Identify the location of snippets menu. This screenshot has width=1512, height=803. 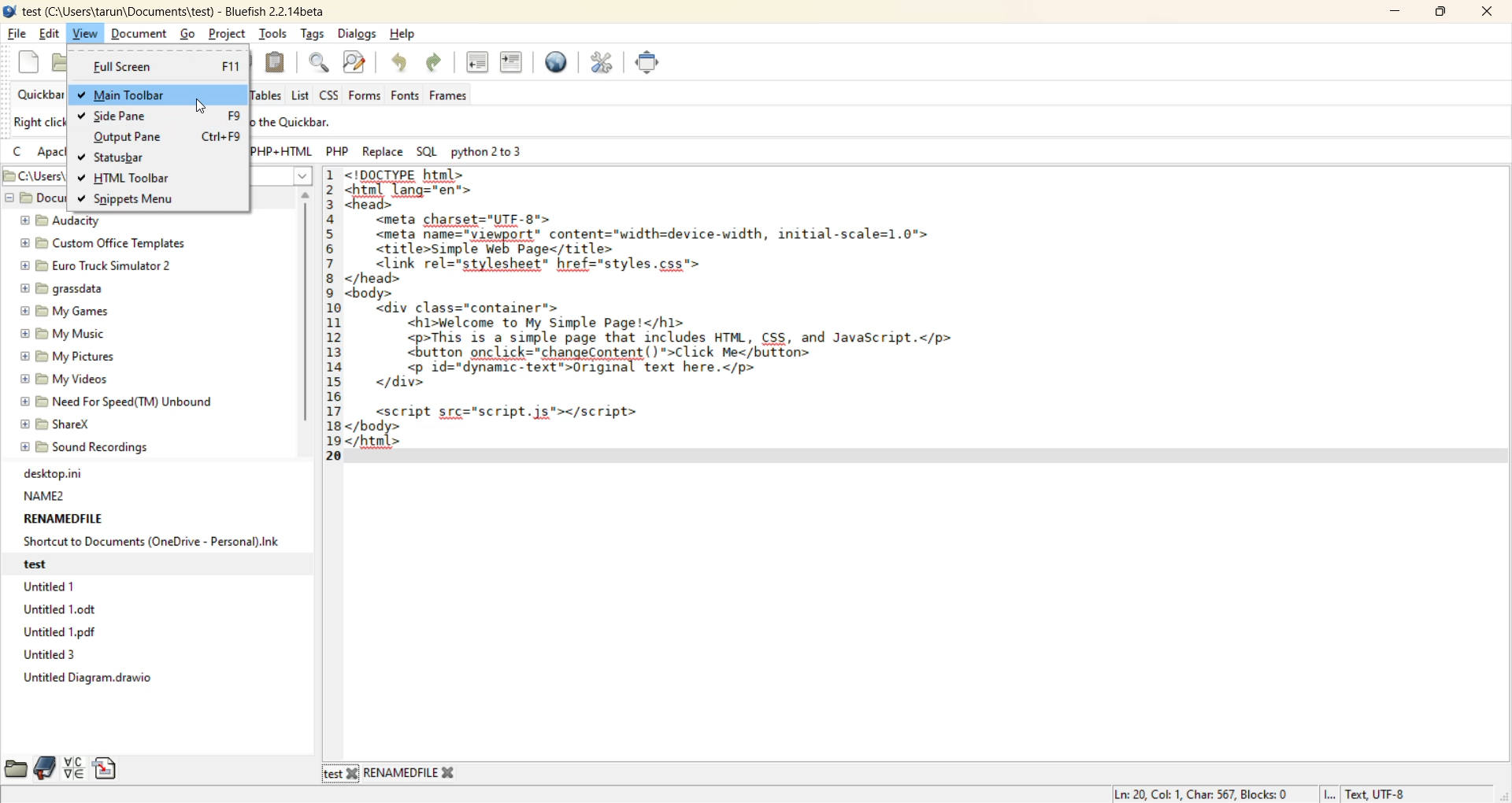
(141, 200).